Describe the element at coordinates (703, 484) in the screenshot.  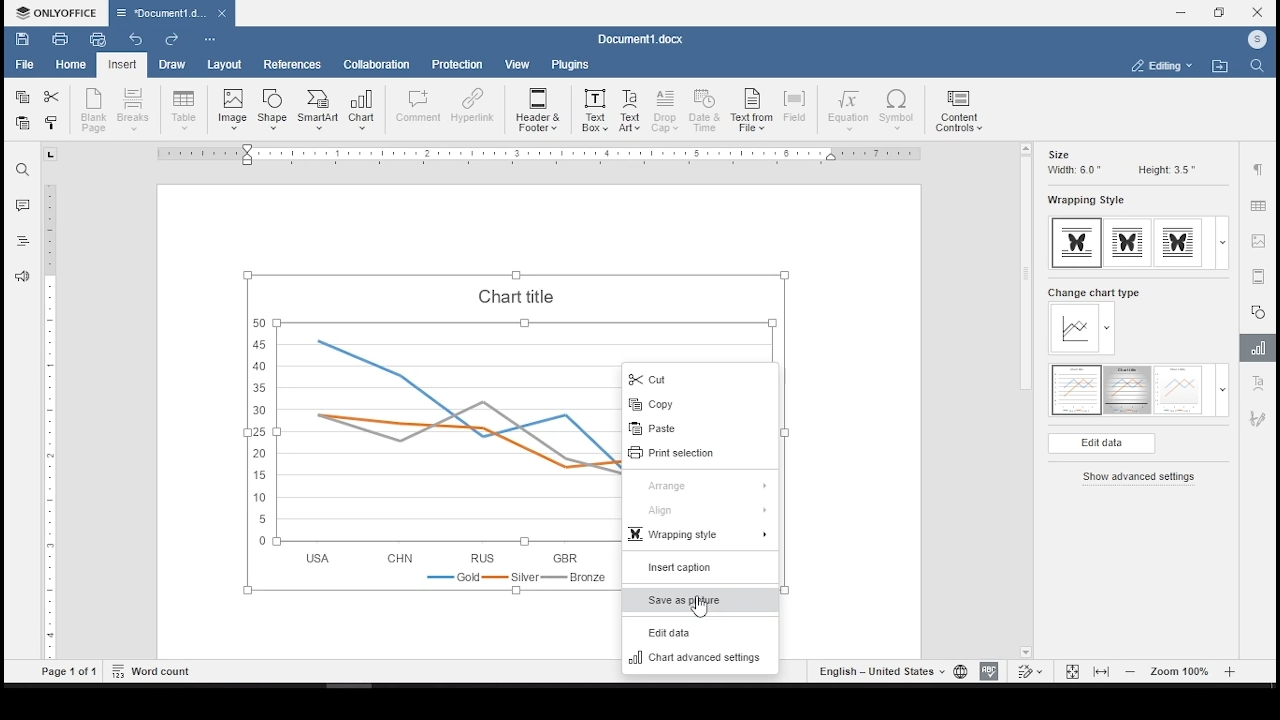
I see `arrange` at that location.